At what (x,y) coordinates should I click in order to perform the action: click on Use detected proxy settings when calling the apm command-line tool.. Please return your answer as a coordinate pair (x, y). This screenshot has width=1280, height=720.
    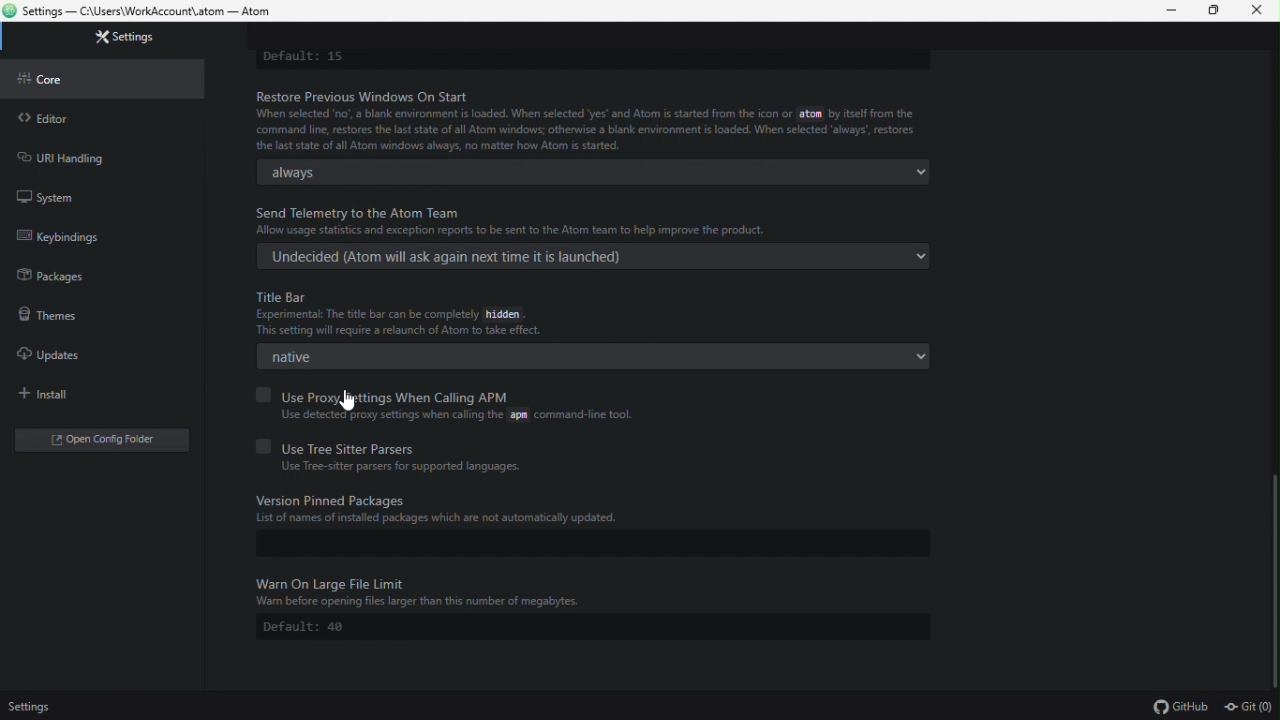
    Looking at the image, I should click on (454, 415).